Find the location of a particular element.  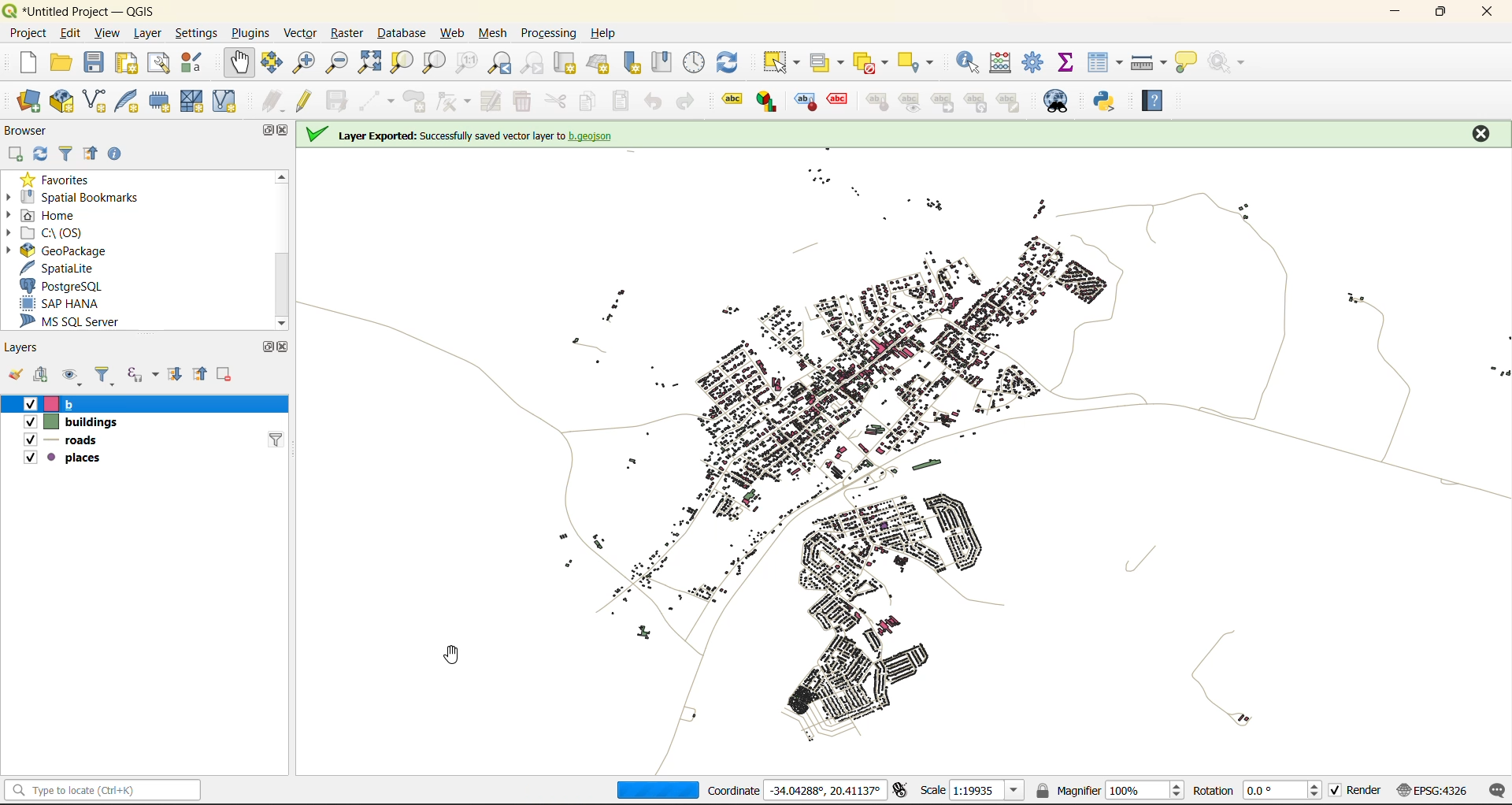

highlight pinned labels and diagrams is located at coordinates (805, 102).